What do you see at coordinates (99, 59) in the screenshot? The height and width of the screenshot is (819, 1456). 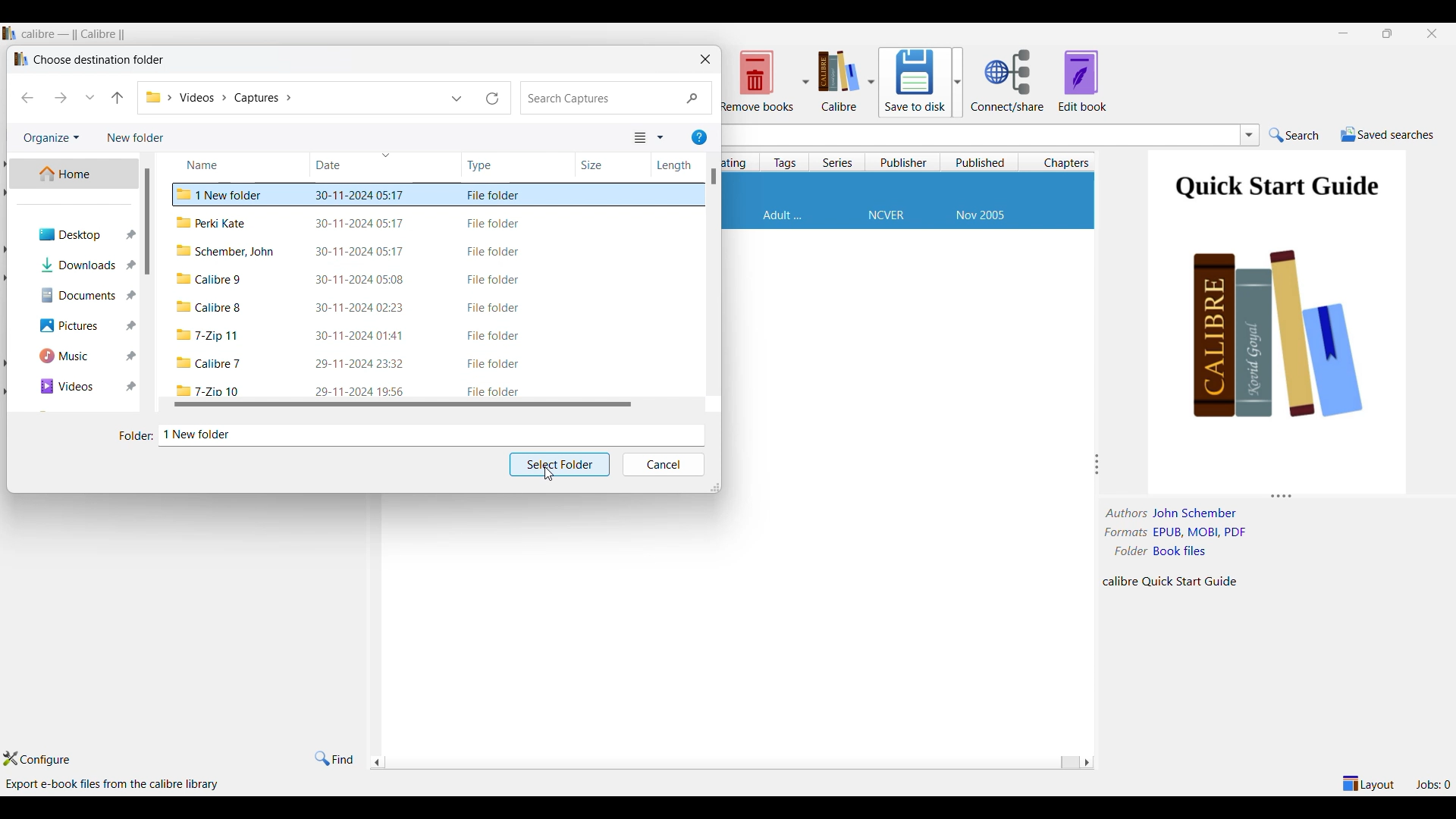 I see `Window name` at bounding box center [99, 59].